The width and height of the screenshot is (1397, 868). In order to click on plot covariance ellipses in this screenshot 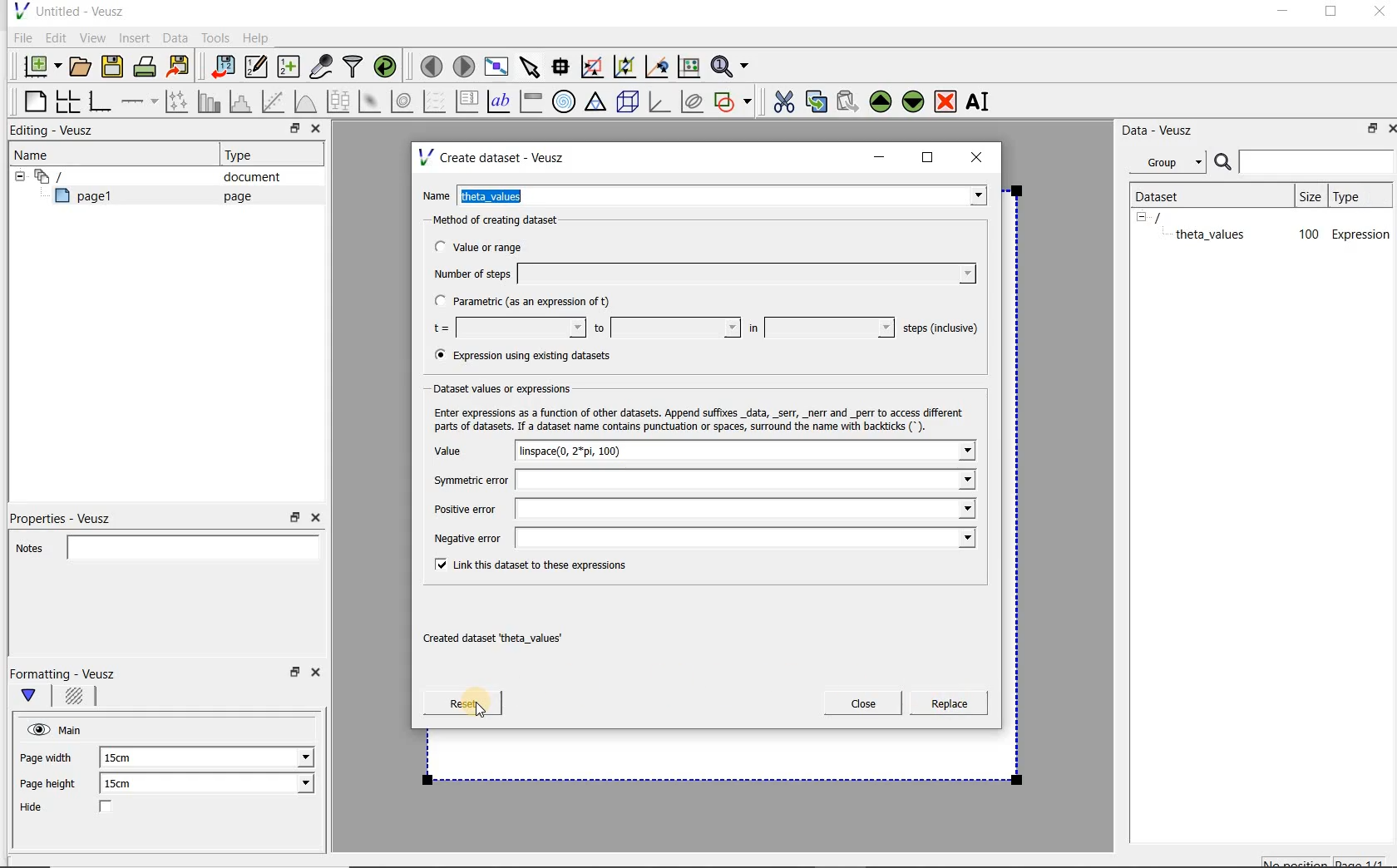, I will do `click(693, 101)`.